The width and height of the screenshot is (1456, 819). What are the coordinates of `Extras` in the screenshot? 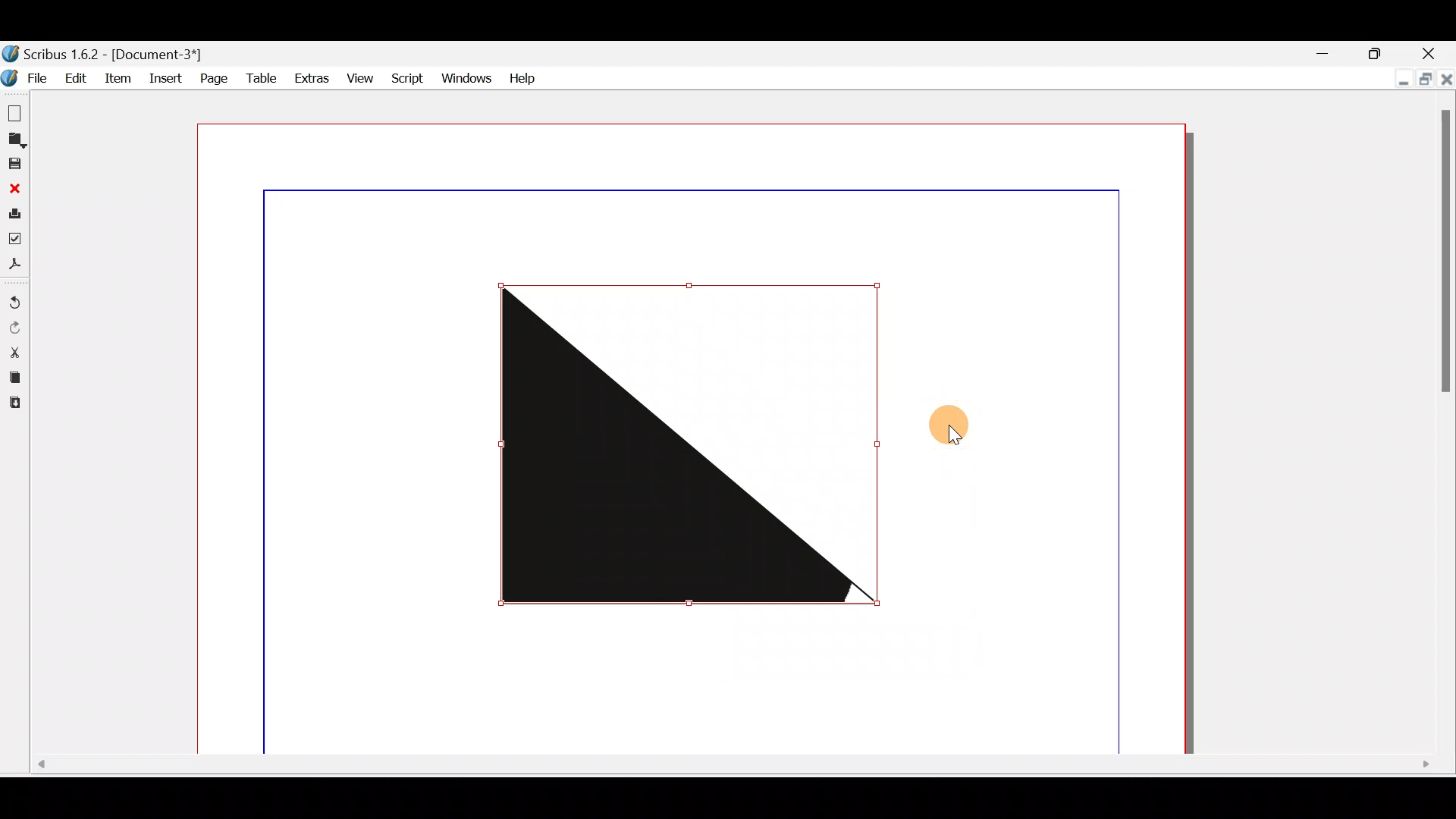 It's located at (308, 76).